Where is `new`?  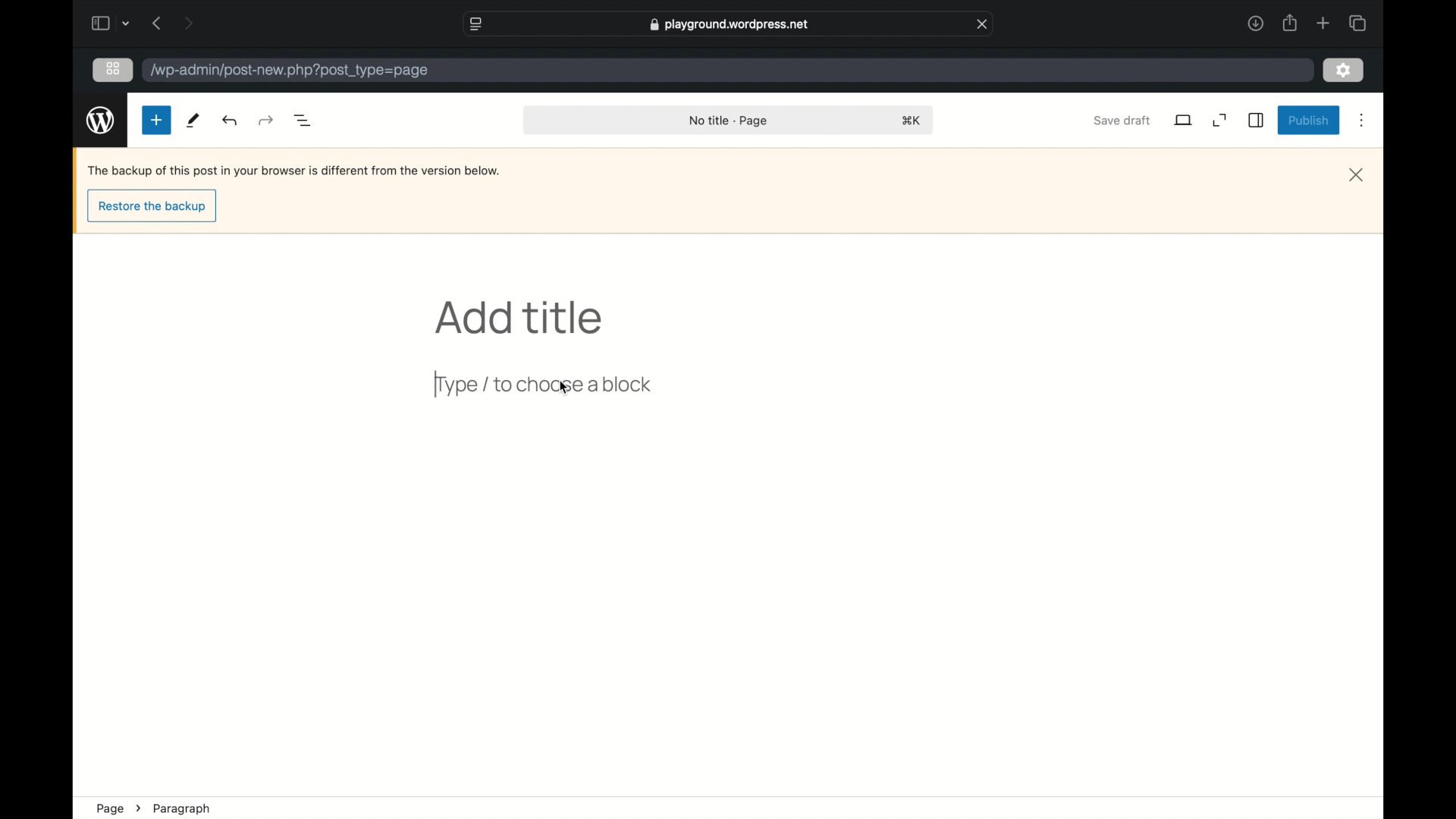 new is located at coordinates (156, 121).